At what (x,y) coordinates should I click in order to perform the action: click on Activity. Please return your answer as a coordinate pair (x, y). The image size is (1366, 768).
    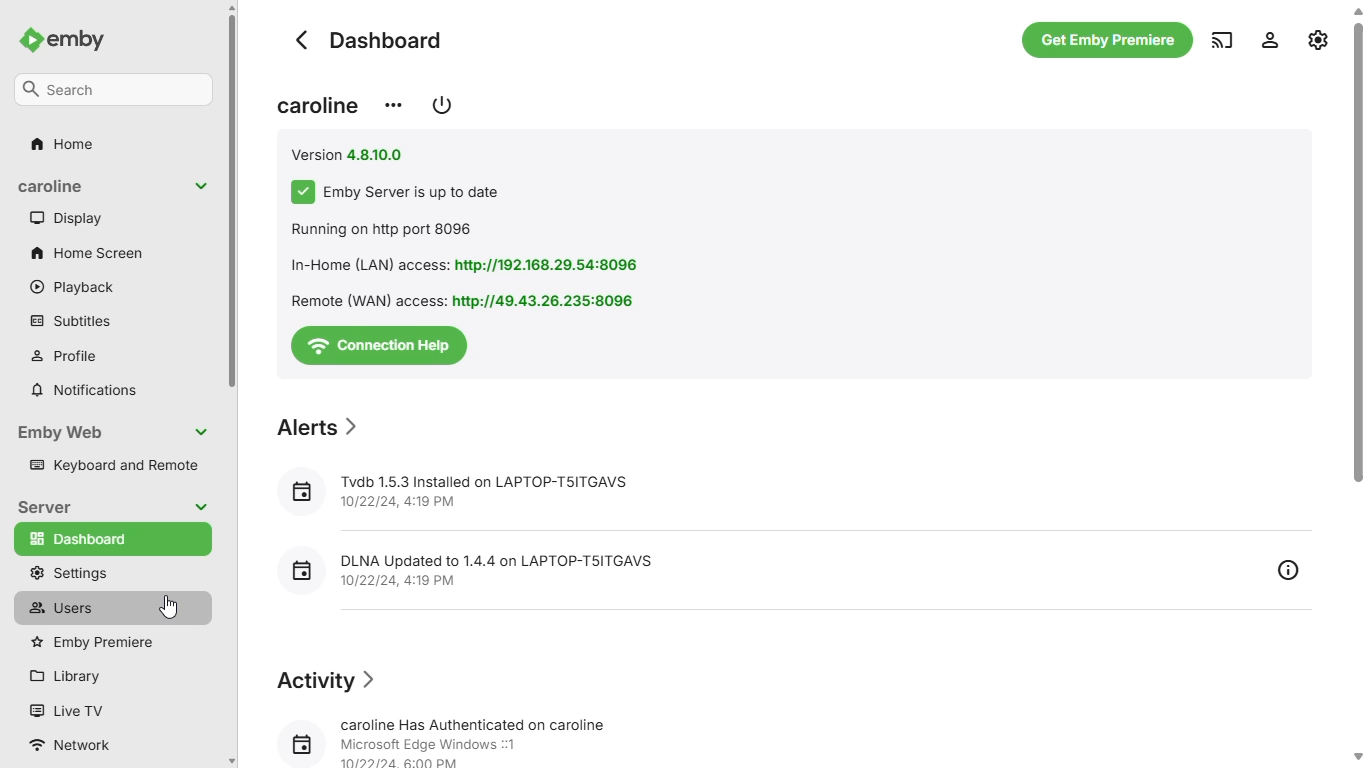
    Looking at the image, I should click on (328, 680).